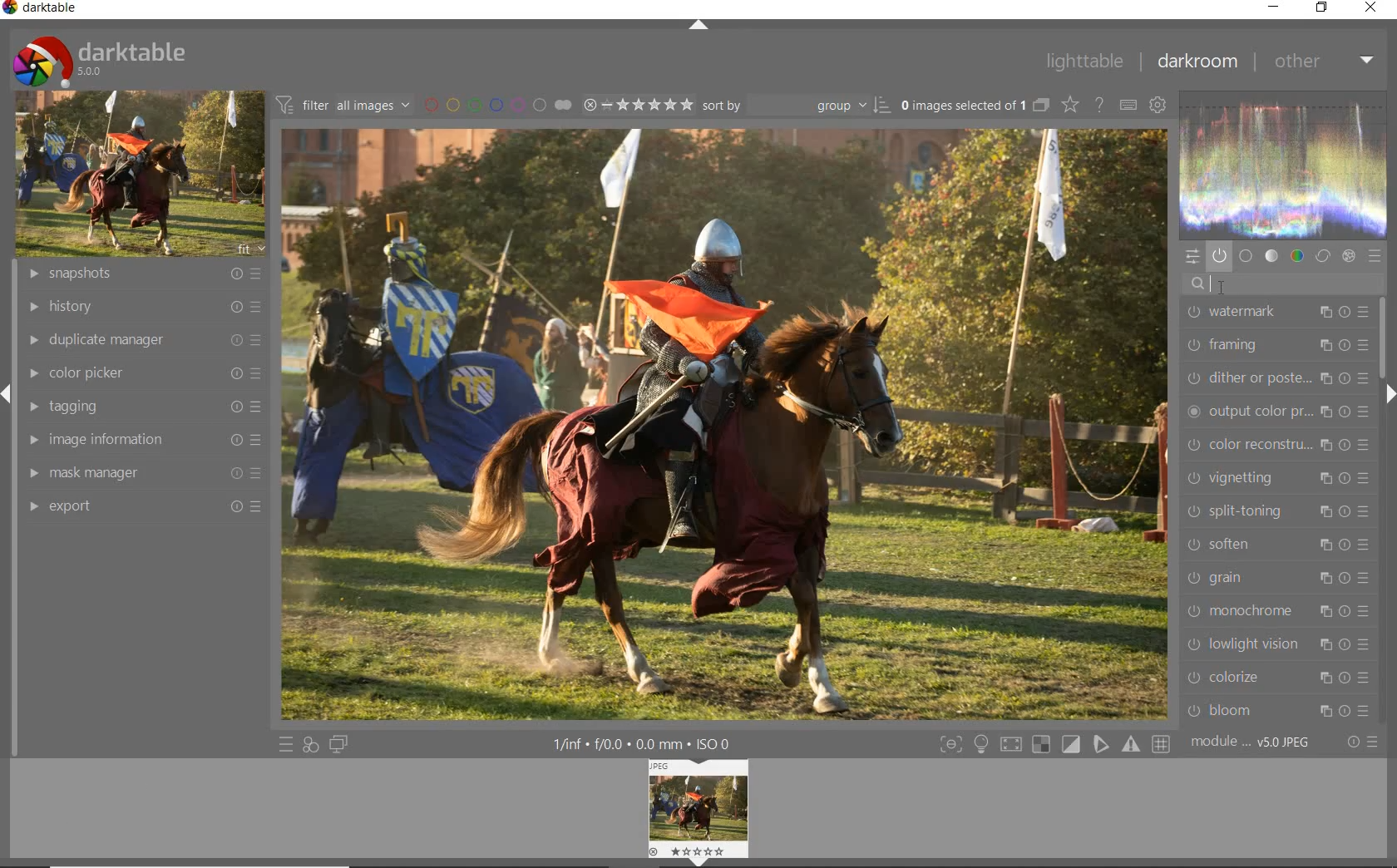  Describe the element at coordinates (1099, 107) in the screenshot. I see `enable for online help` at that location.